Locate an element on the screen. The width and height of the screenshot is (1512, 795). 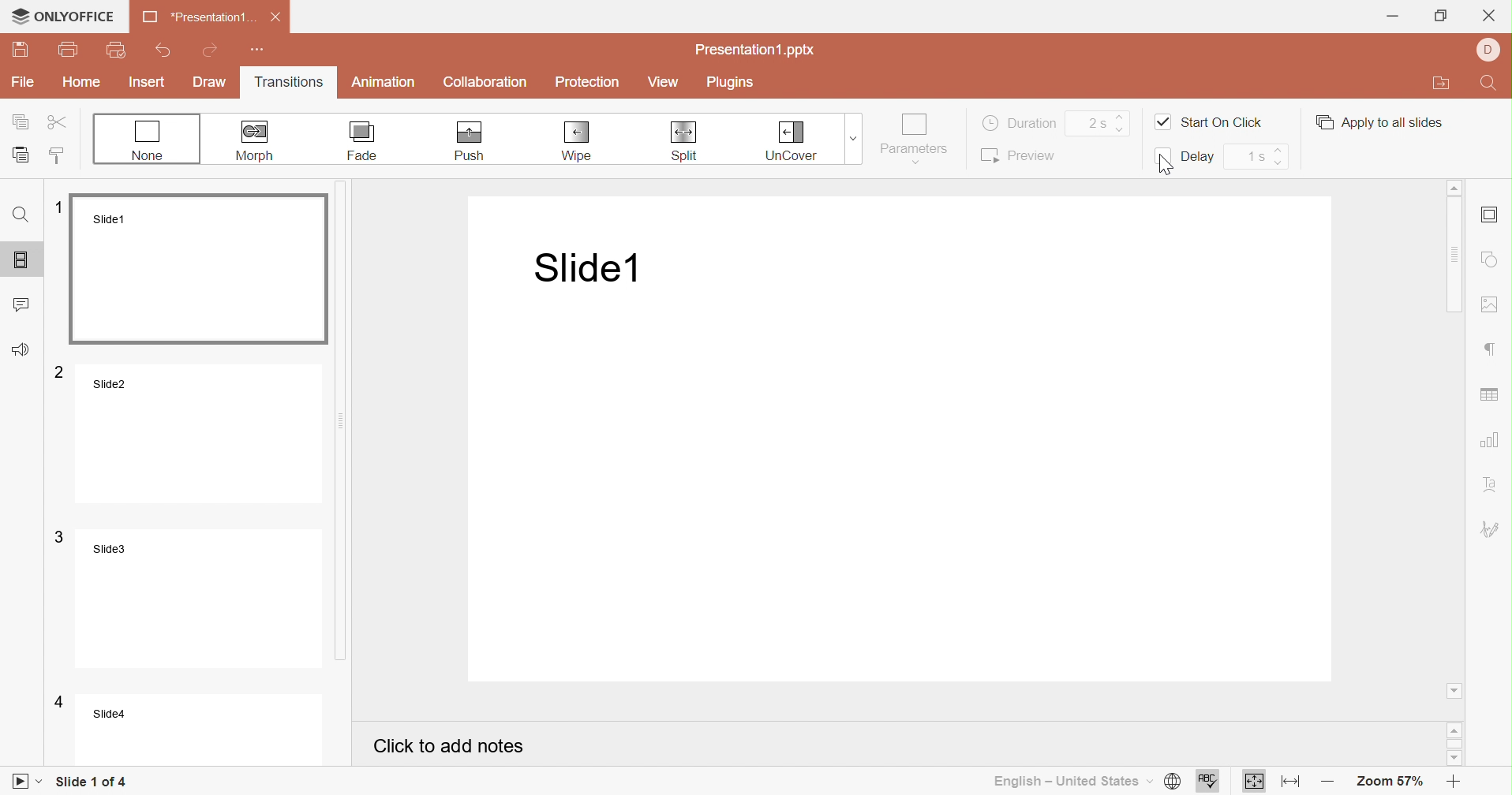
English - United States is located at coordinates (1074, 782).